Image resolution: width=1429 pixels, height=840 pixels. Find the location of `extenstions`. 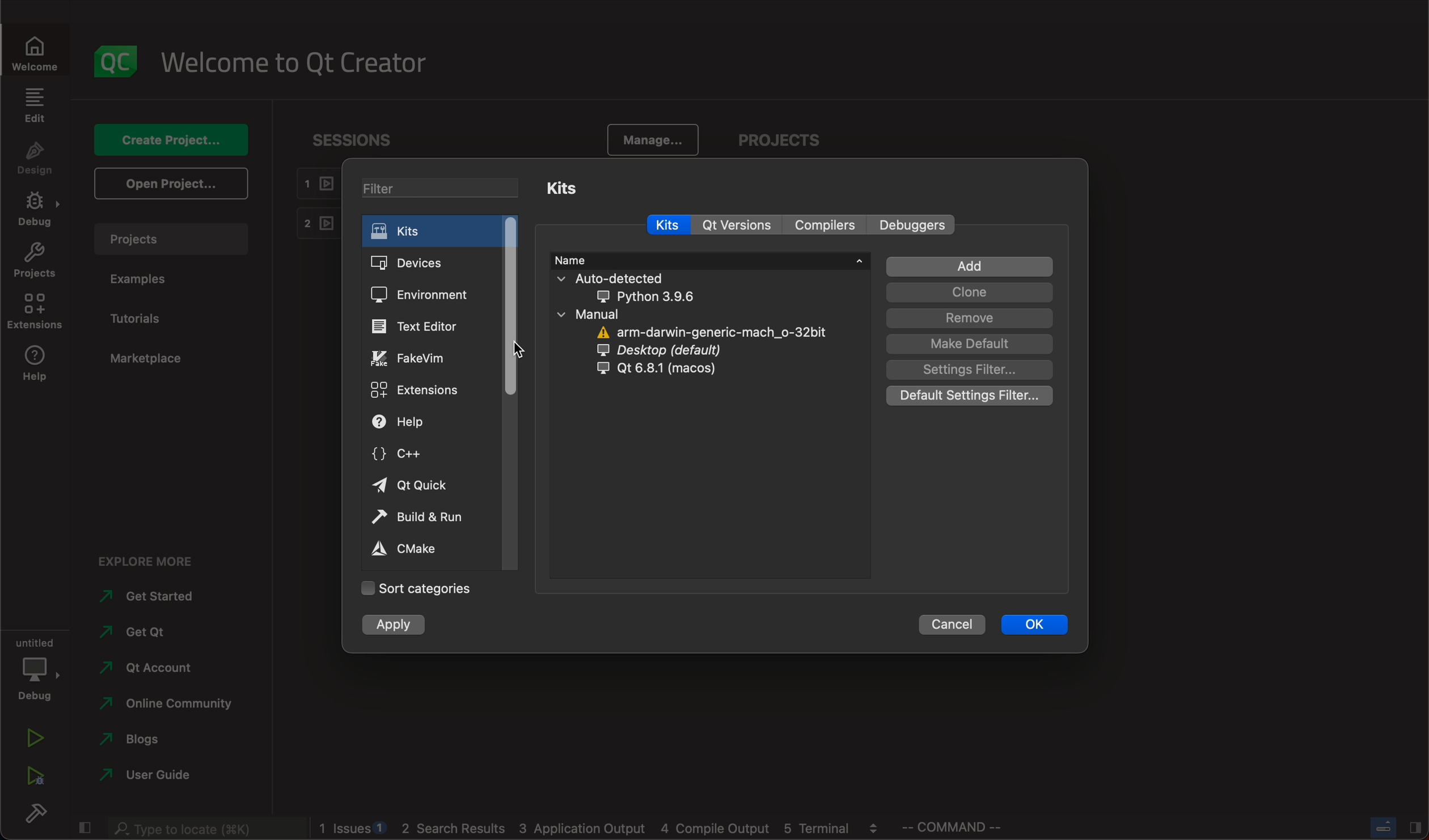

extenstions is located at coordinates (33, 311).